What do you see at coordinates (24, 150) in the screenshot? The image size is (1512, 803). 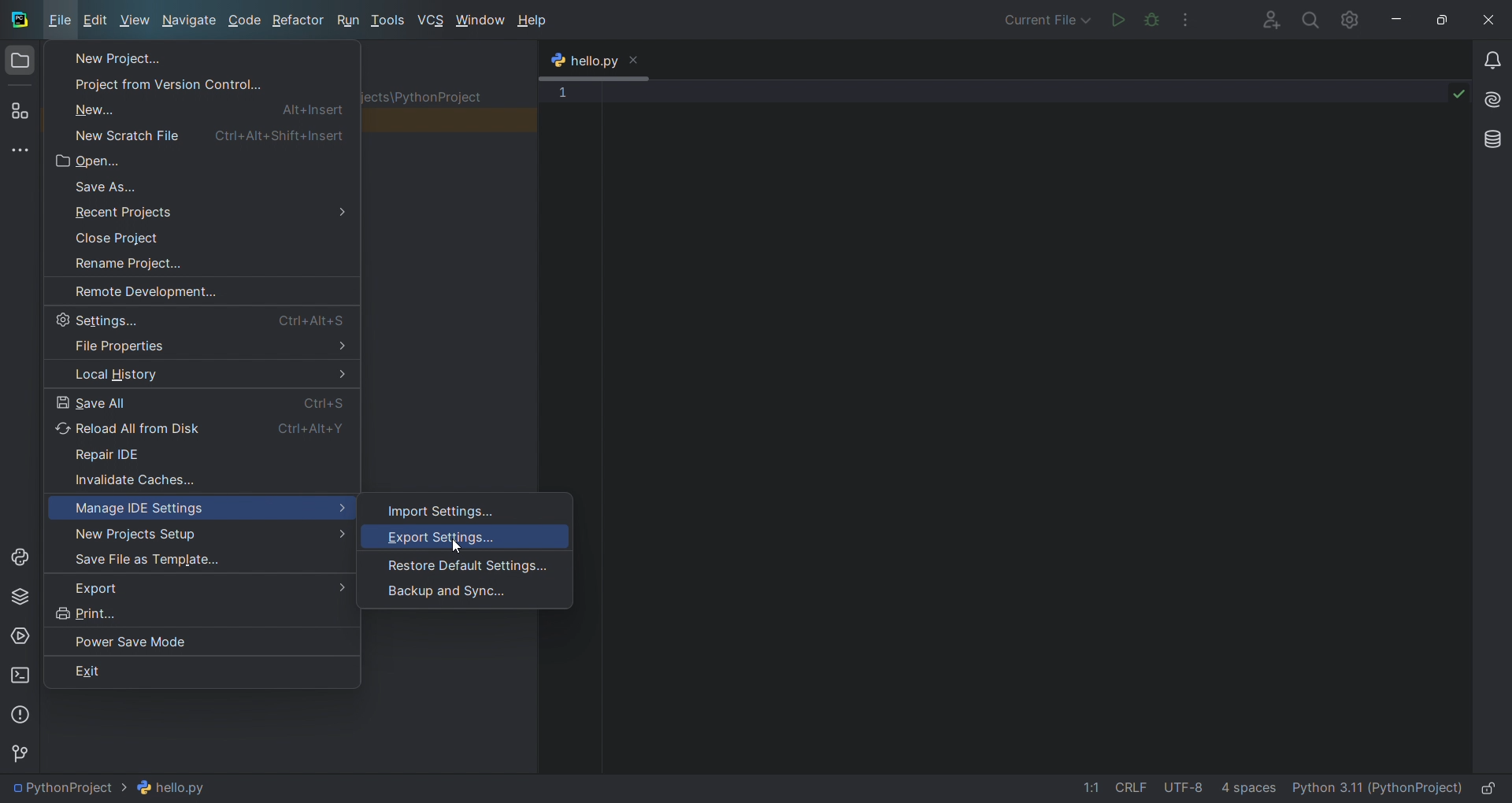 I see `more tools windows` at bounding box center [24, 150].